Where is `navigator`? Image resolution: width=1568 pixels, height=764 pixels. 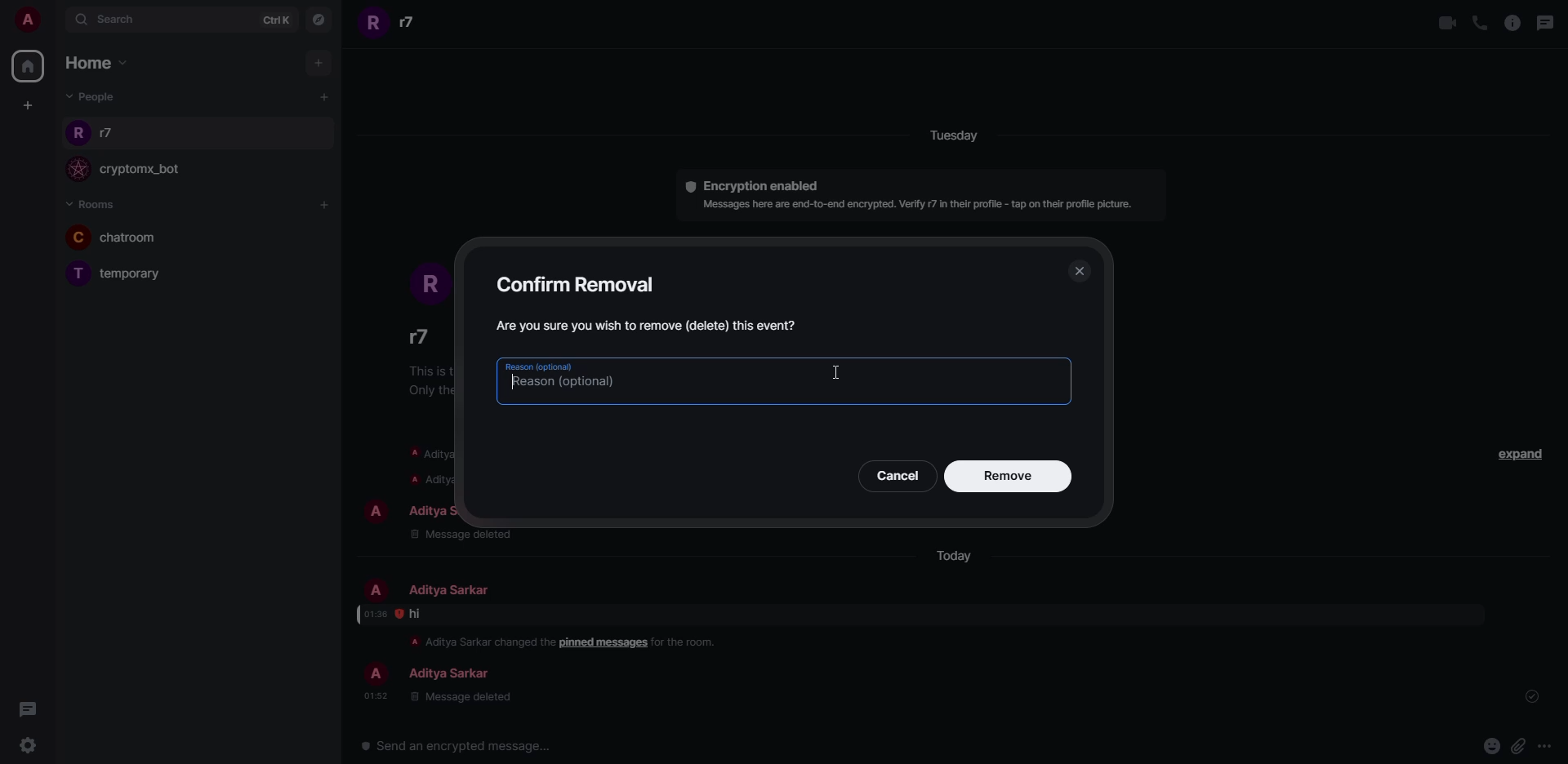
navigator is located at coordinates (316, 23).